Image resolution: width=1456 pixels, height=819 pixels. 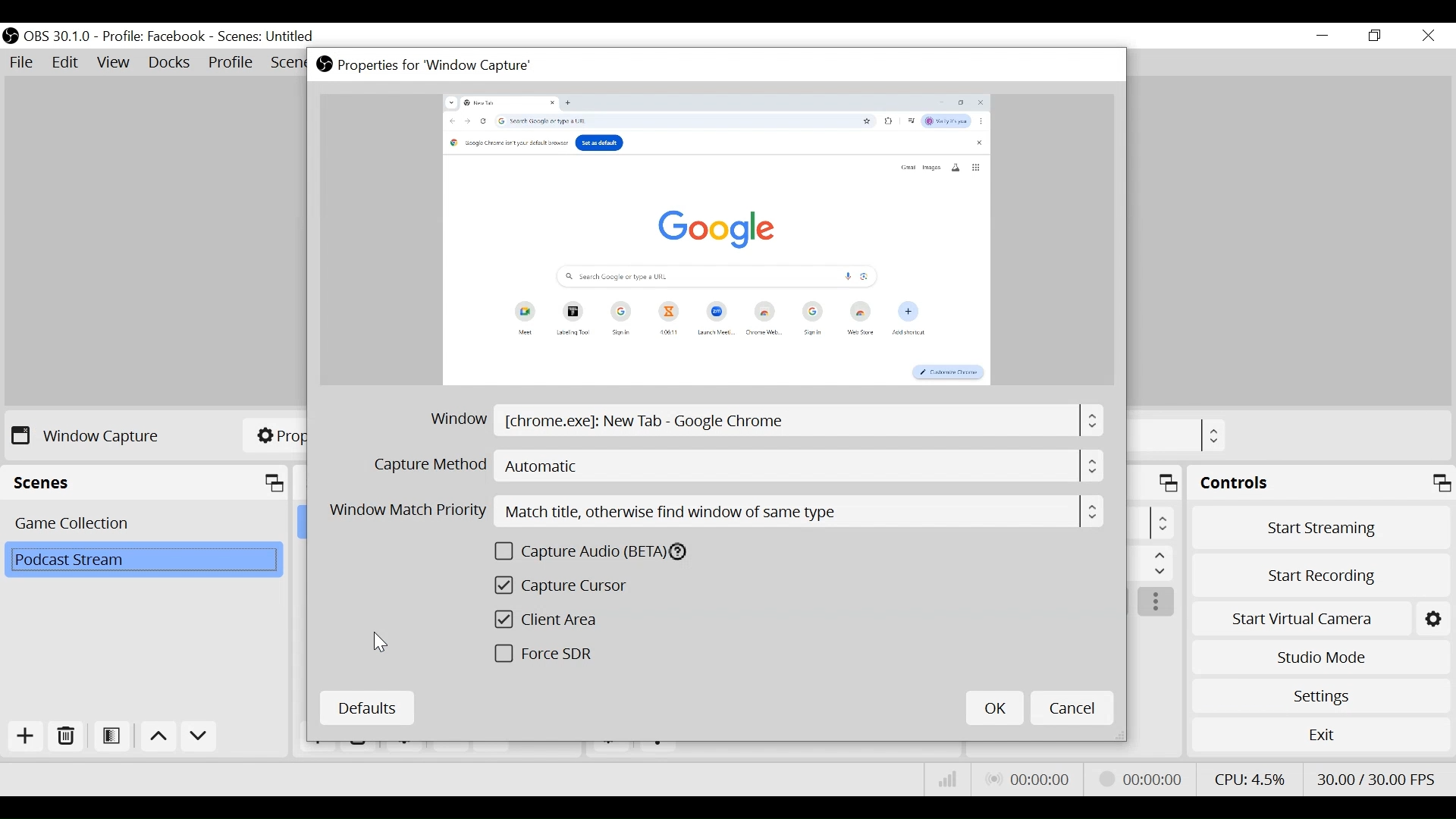 I want to click on Start Recording, so click(x=1318, y=574).